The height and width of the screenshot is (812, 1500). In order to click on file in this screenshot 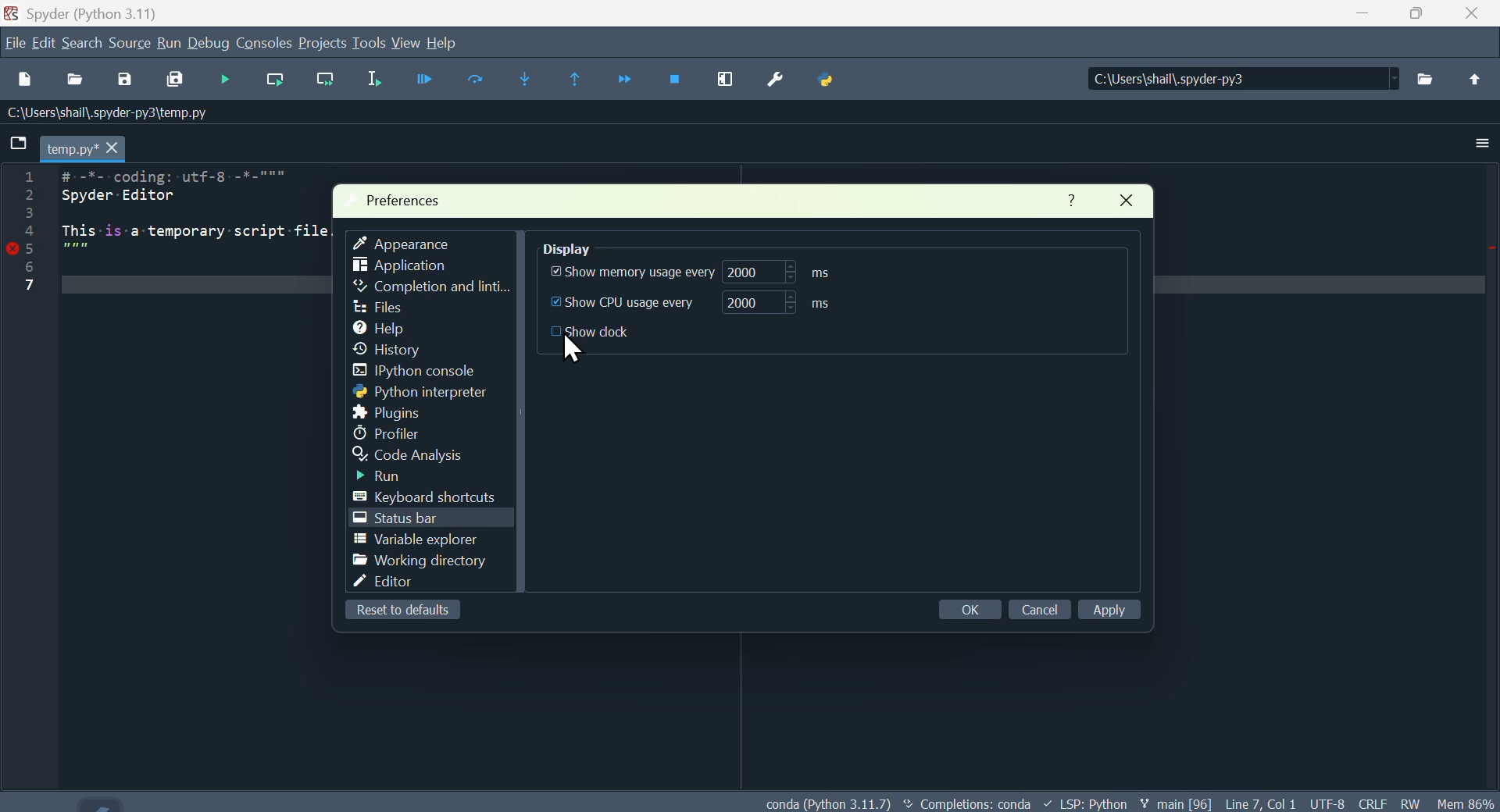, I will do `click(378, 305)`.